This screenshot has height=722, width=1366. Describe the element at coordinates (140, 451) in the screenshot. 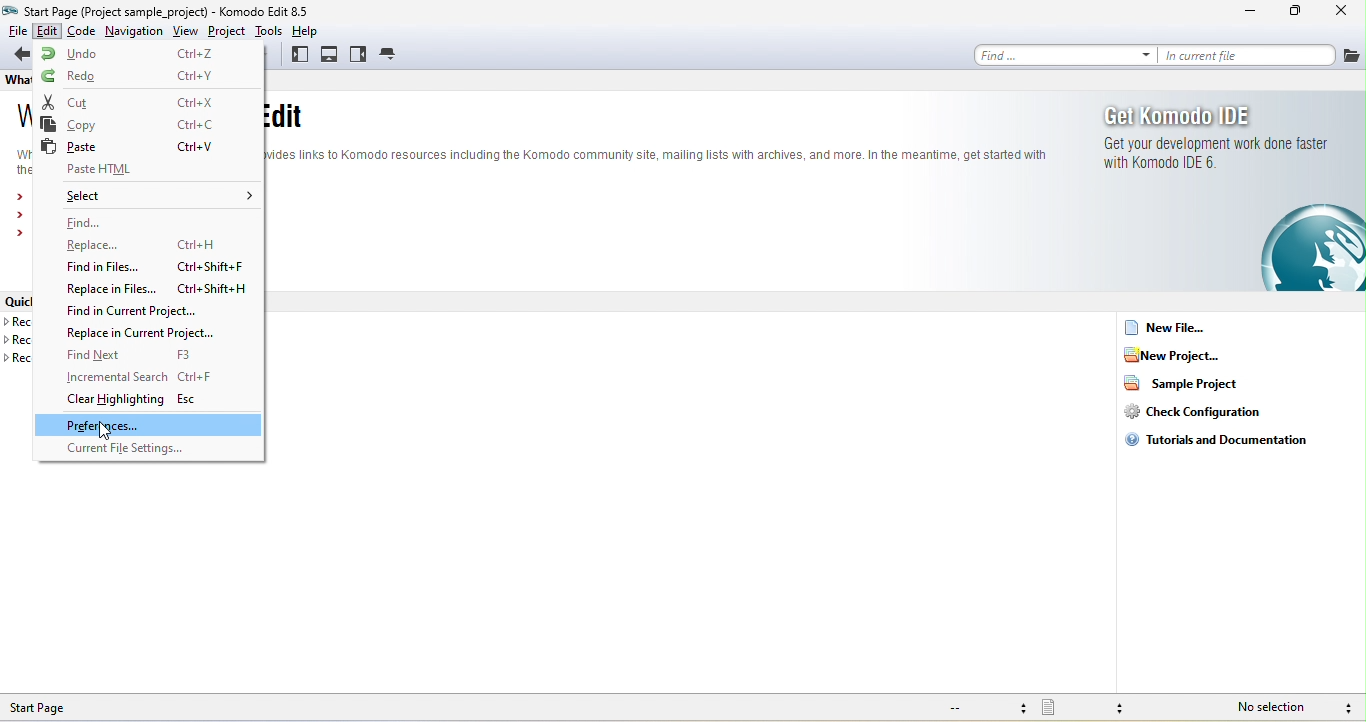

I see `current file setting` at that location.